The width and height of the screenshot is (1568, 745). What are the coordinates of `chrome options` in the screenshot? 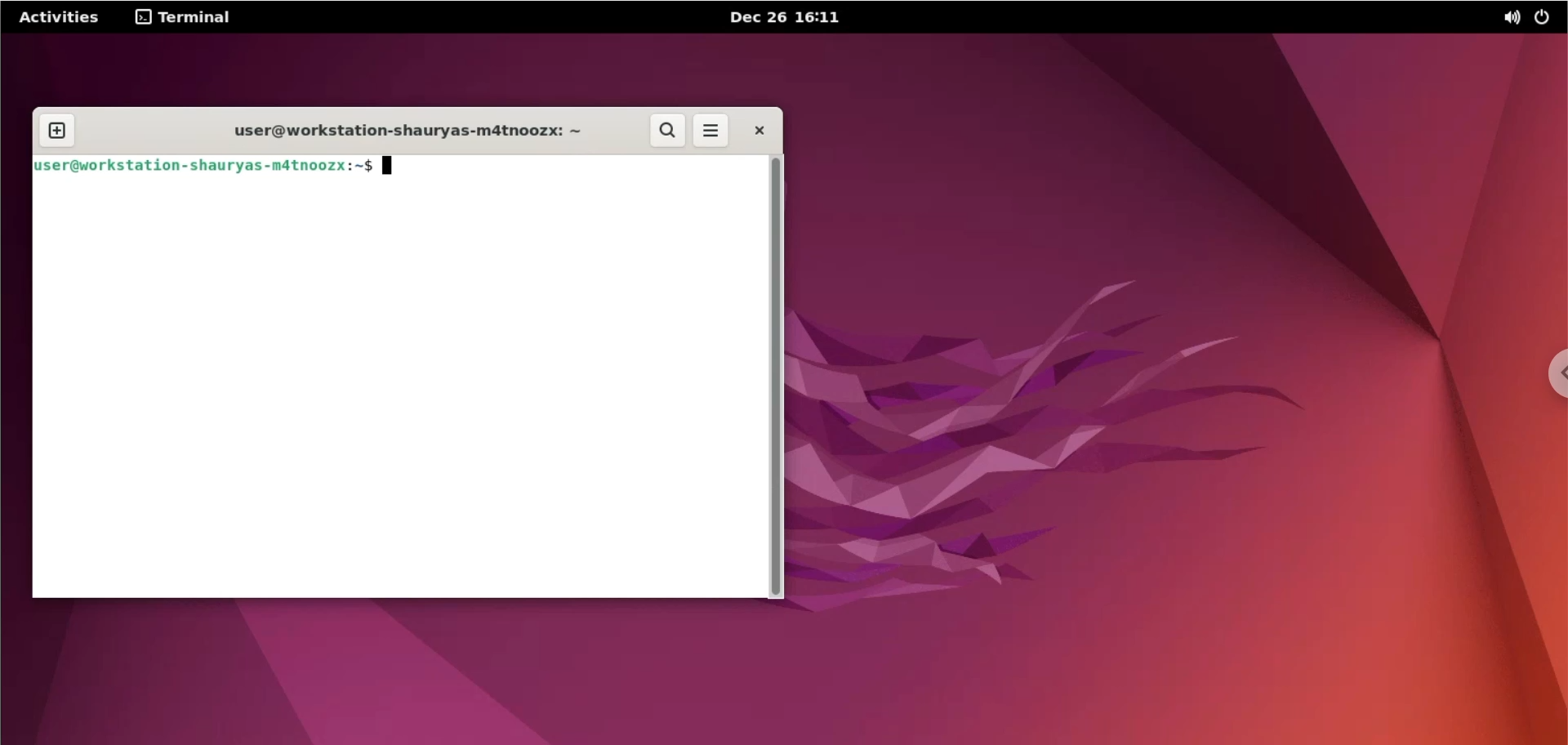 It's located at (1557, 370).